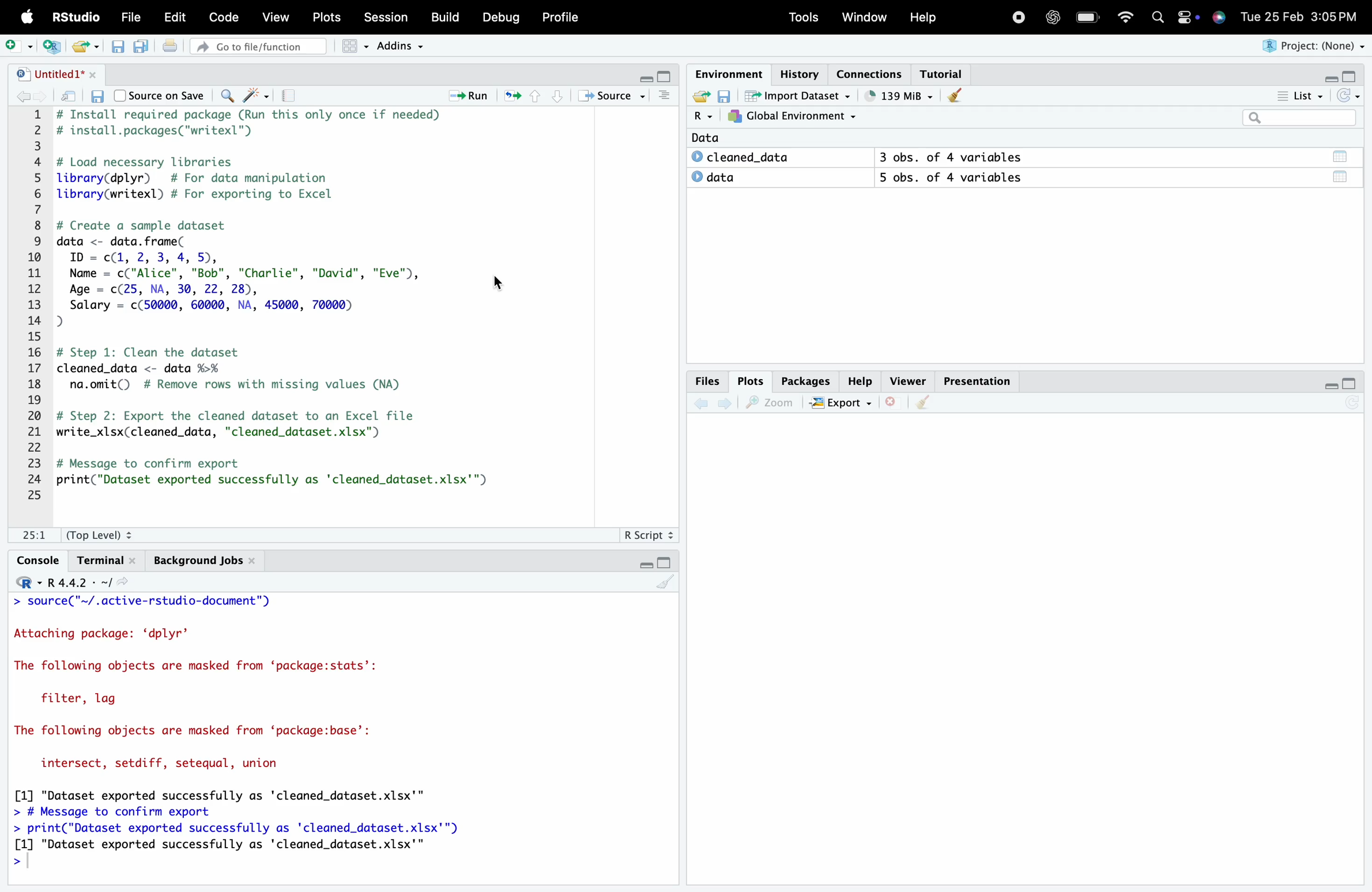 This screenshot has width=1372, height=892. I want to click on Save all open documents (Ctrl + Alt + S), so click(142, 47).